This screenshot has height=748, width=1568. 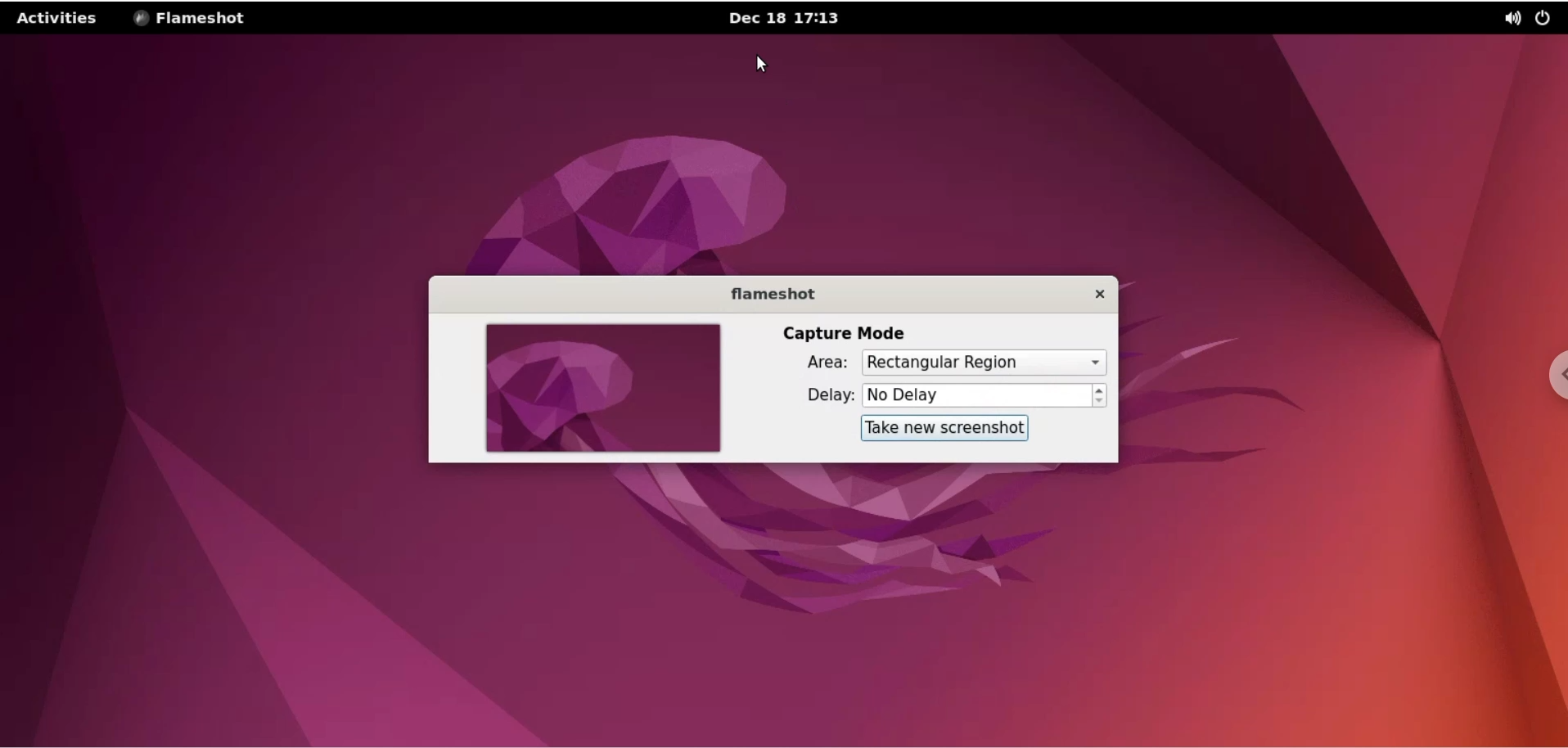 What do you see at coordinates (776, 294) in the screenshot?
I see `flameshot label` at bounding box center [776, 294].